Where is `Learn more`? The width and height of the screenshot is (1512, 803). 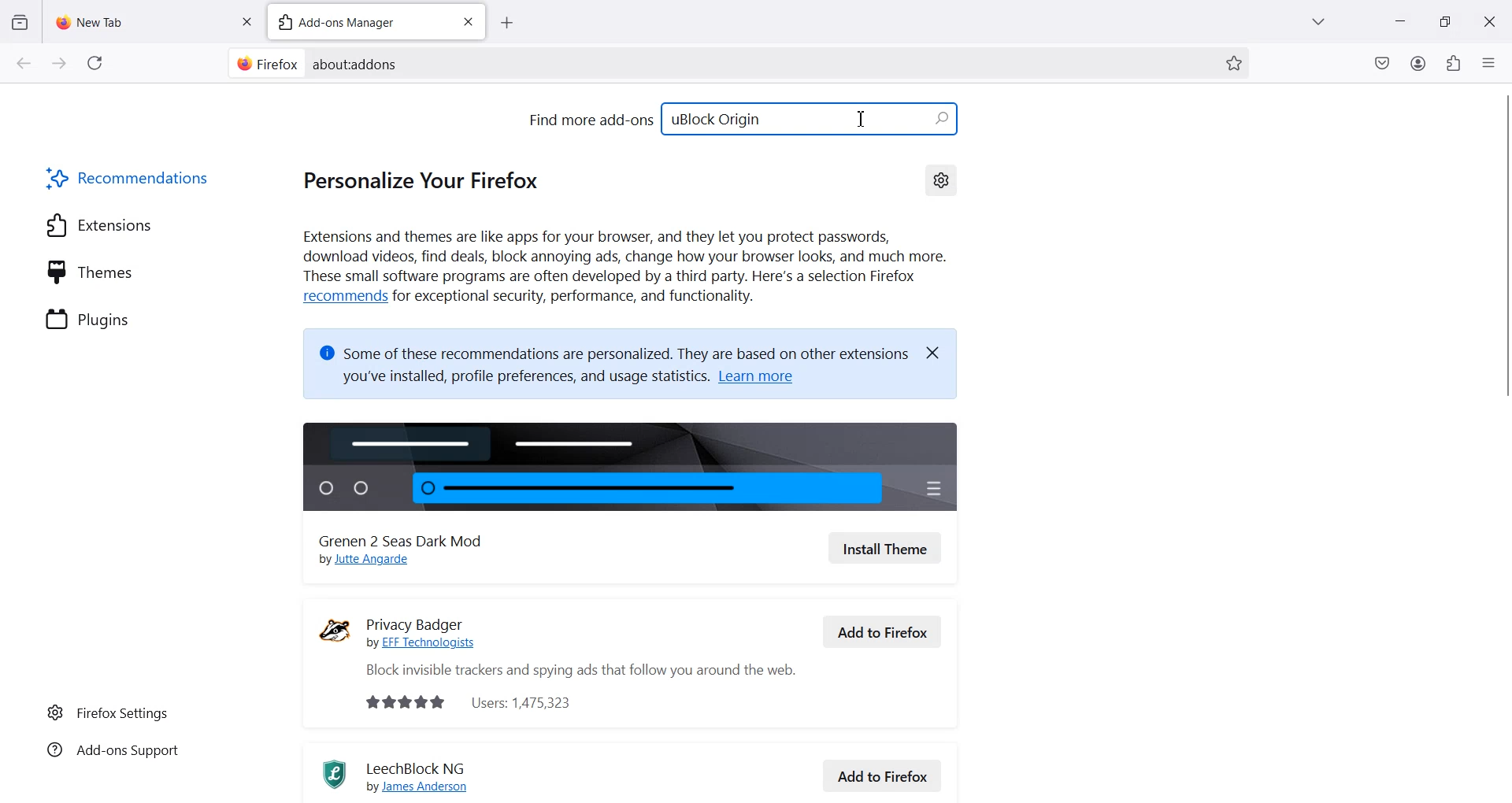 Learn more is located at coordinates (765, 379).